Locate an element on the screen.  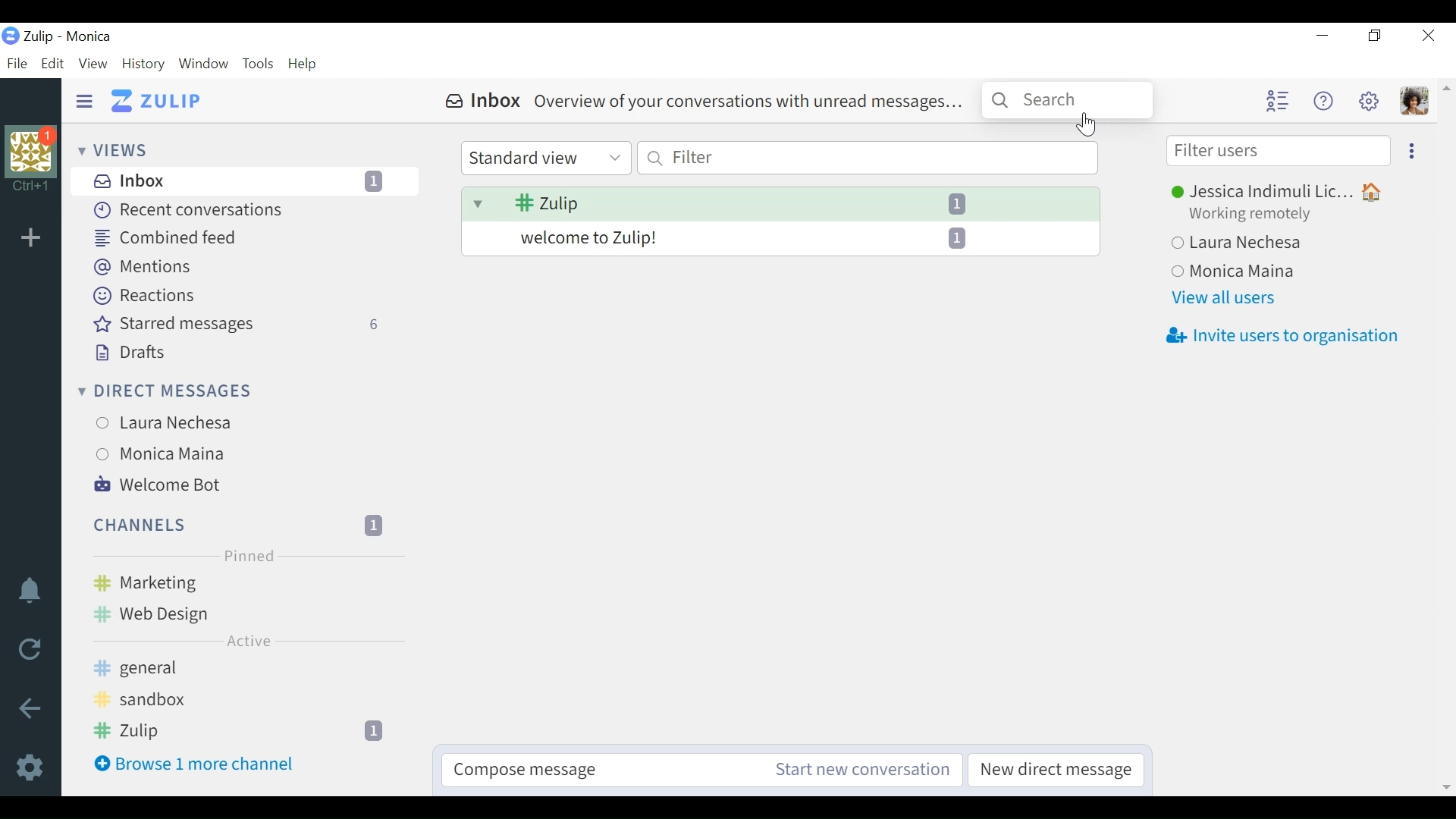
Recent Conversations is located at coordinates (192, 211).